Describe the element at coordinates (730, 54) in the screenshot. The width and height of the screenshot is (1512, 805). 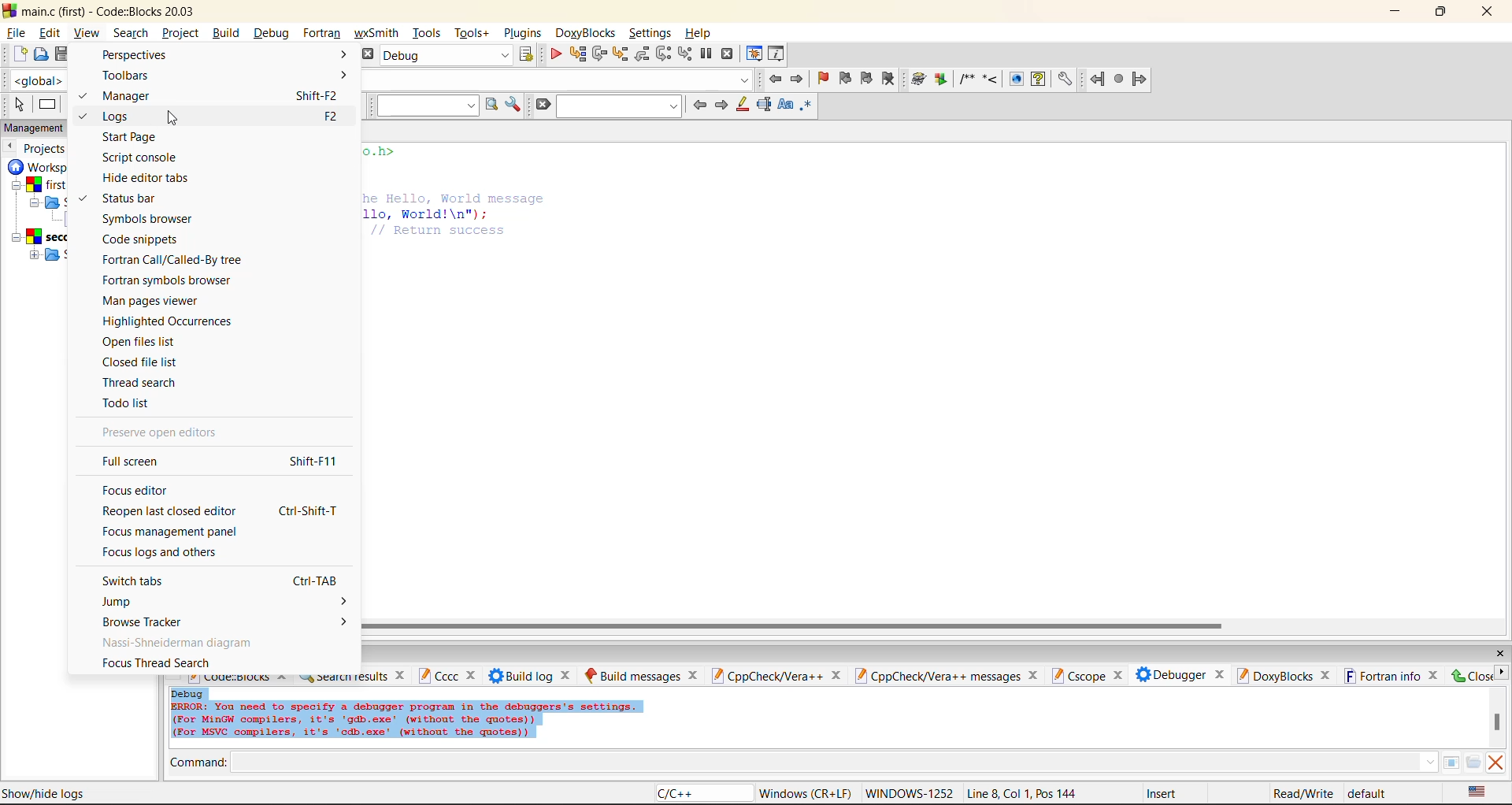
I see `stop debugger` at that location.